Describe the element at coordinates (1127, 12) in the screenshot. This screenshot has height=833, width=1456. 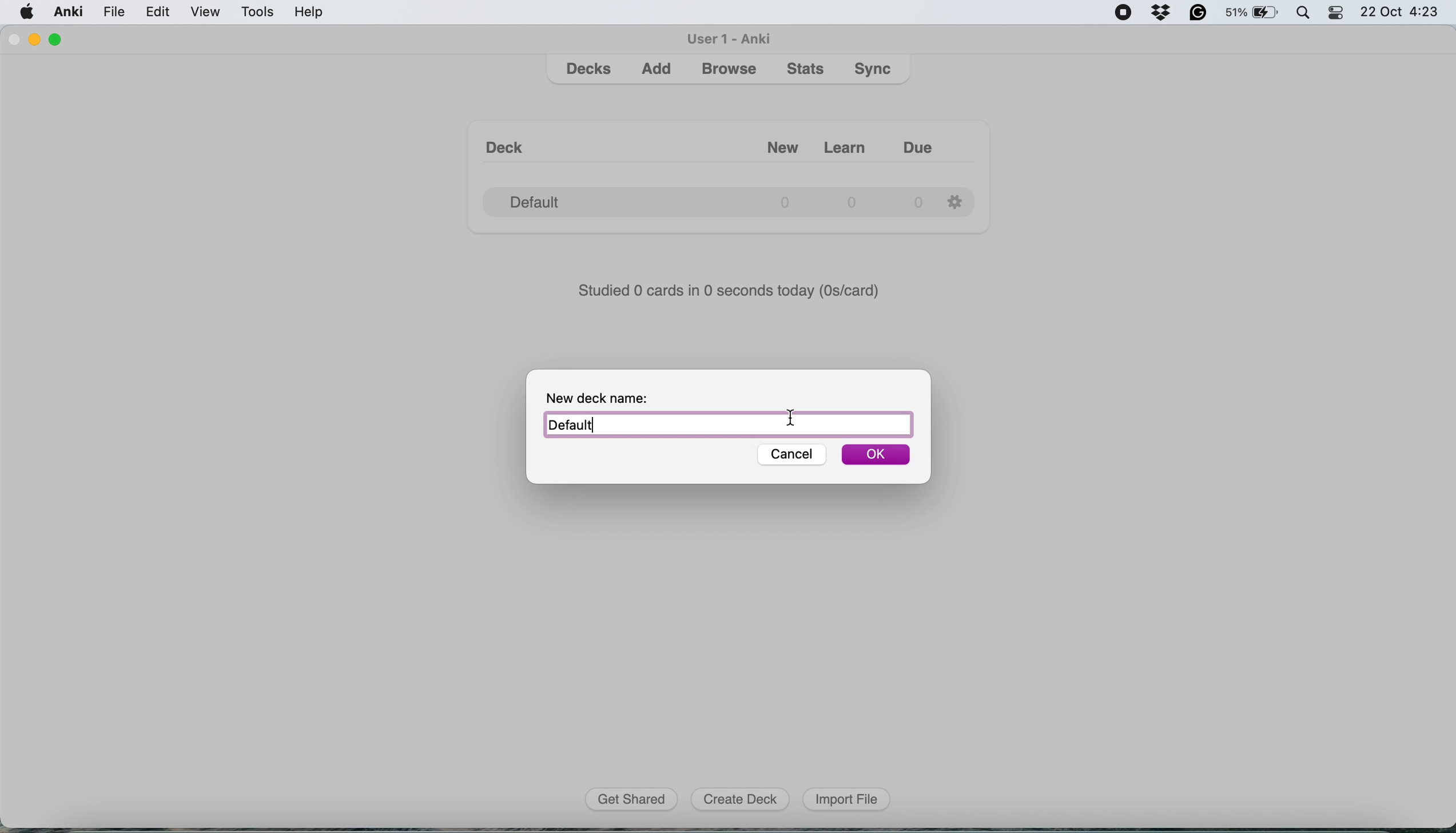
I see `screen recorder` at that location.